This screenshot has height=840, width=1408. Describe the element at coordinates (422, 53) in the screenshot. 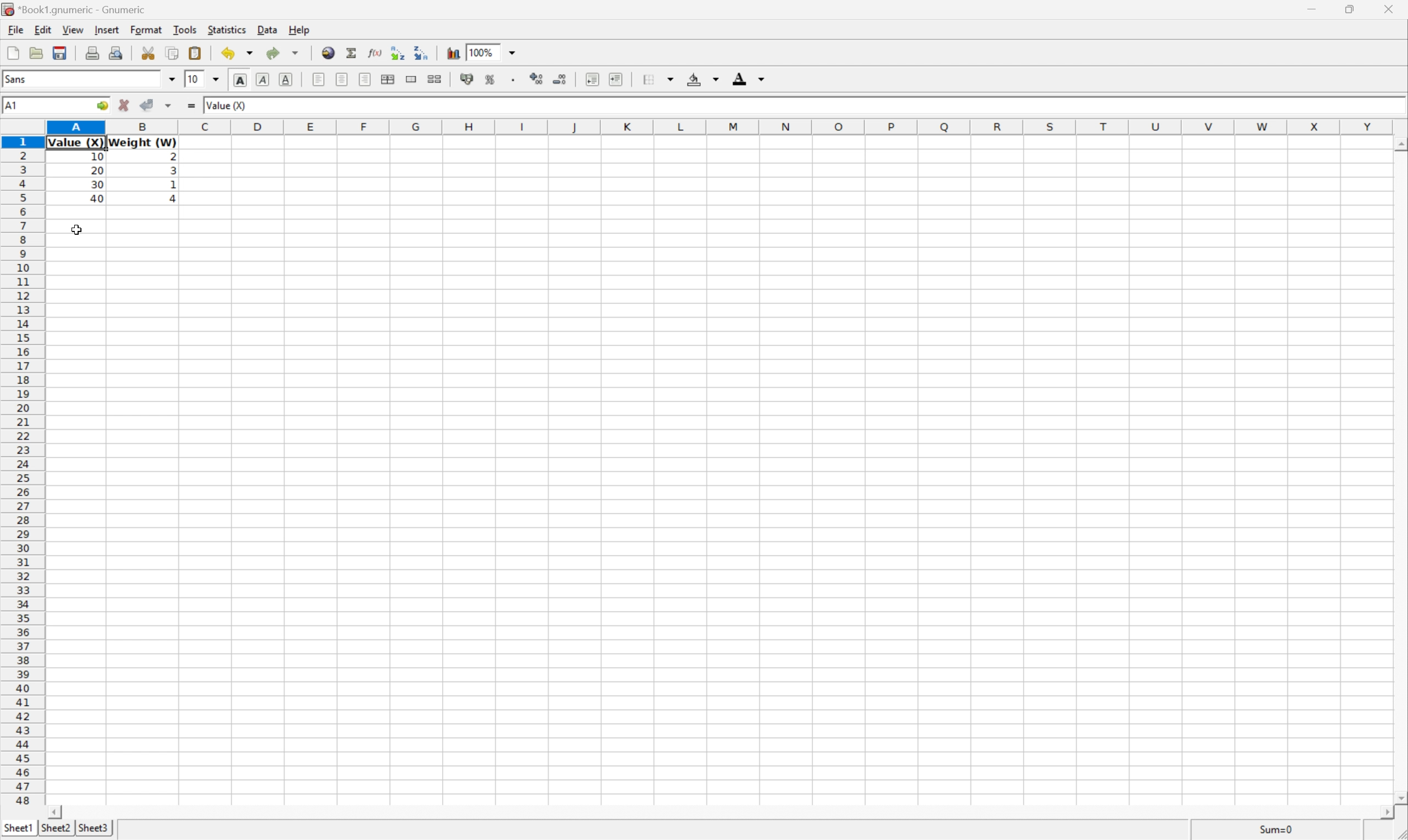

I see `Sort the selected region in descending order based on the first column selected` at that location.